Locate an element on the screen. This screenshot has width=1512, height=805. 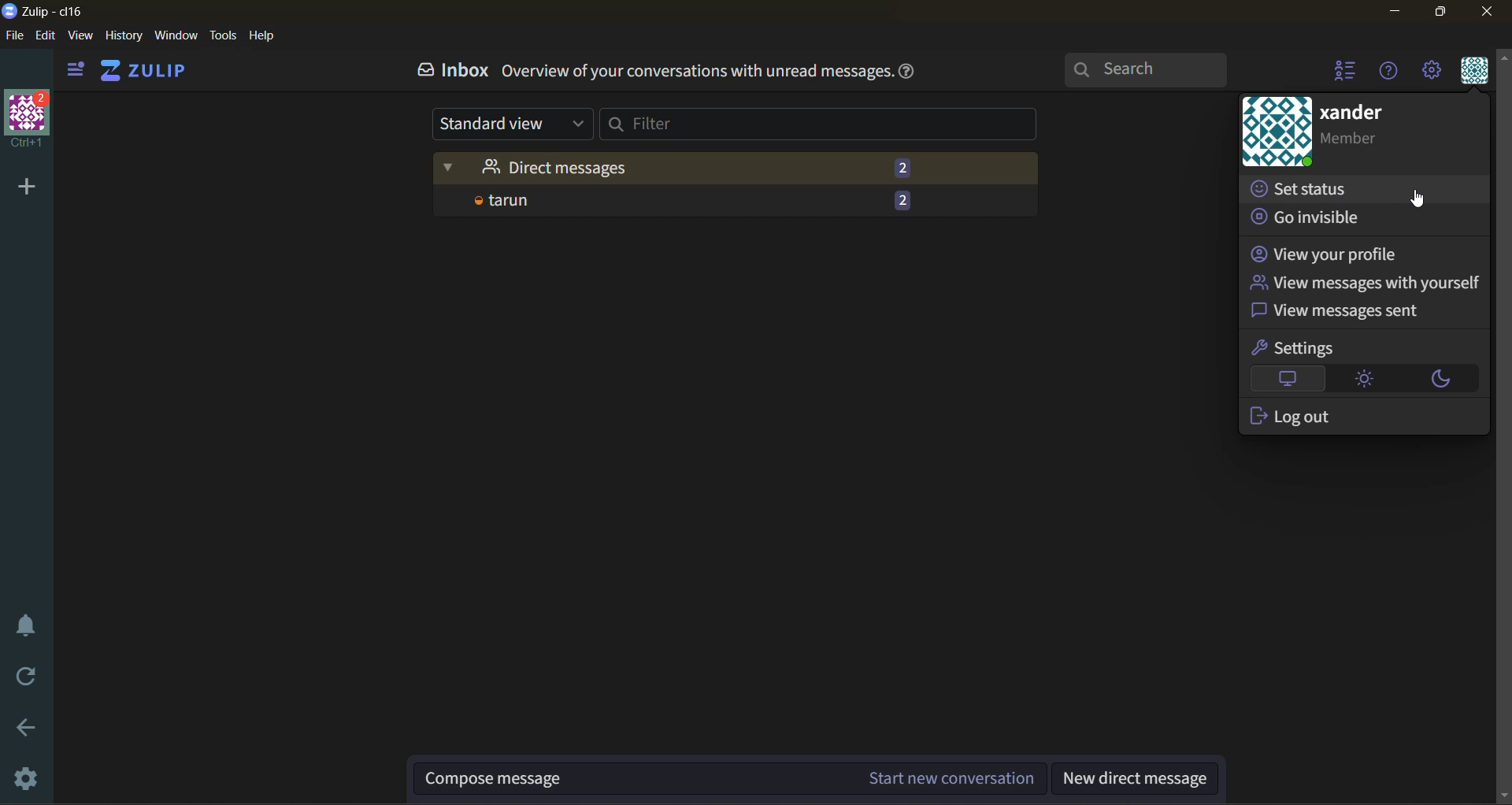
standard view is located at coordinates (510, 124).